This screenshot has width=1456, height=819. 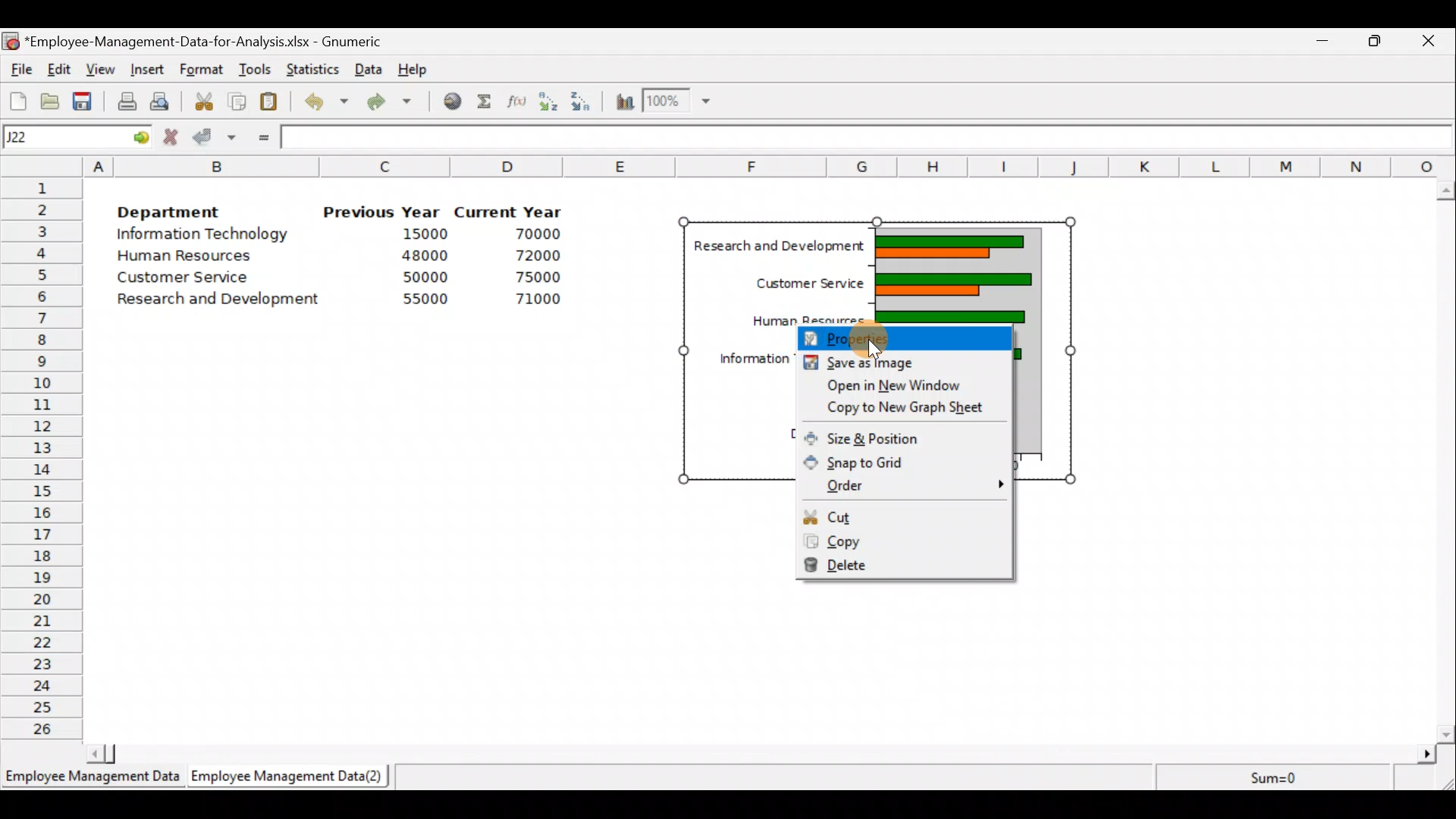 I want to click on Research and development, so click(x=219, y=297).